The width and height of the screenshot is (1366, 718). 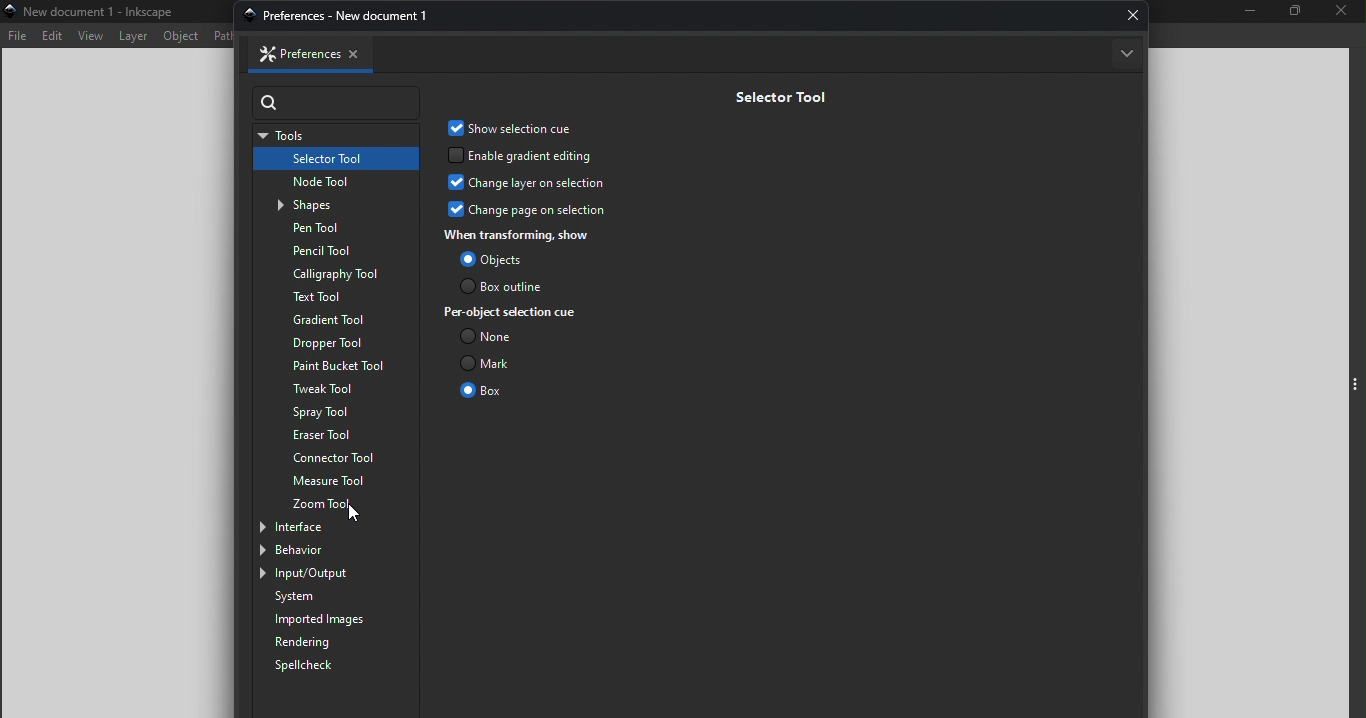 What do you see at coordinates (10, 11) in the screenshot?
I see `app icon` at bounding box center [10, 11].